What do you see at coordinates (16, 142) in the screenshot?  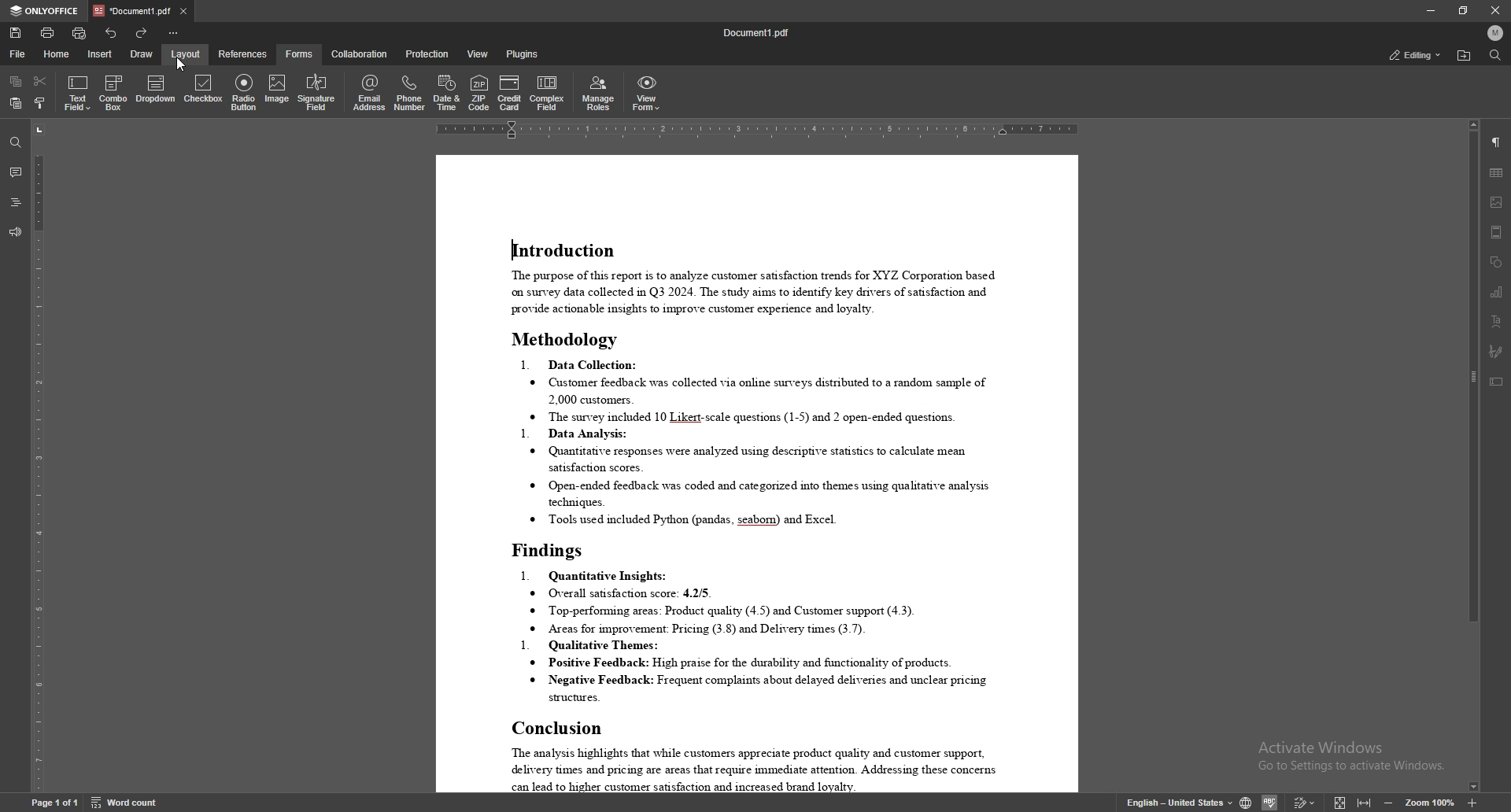 I see `find` at bounding box center [16, 142].